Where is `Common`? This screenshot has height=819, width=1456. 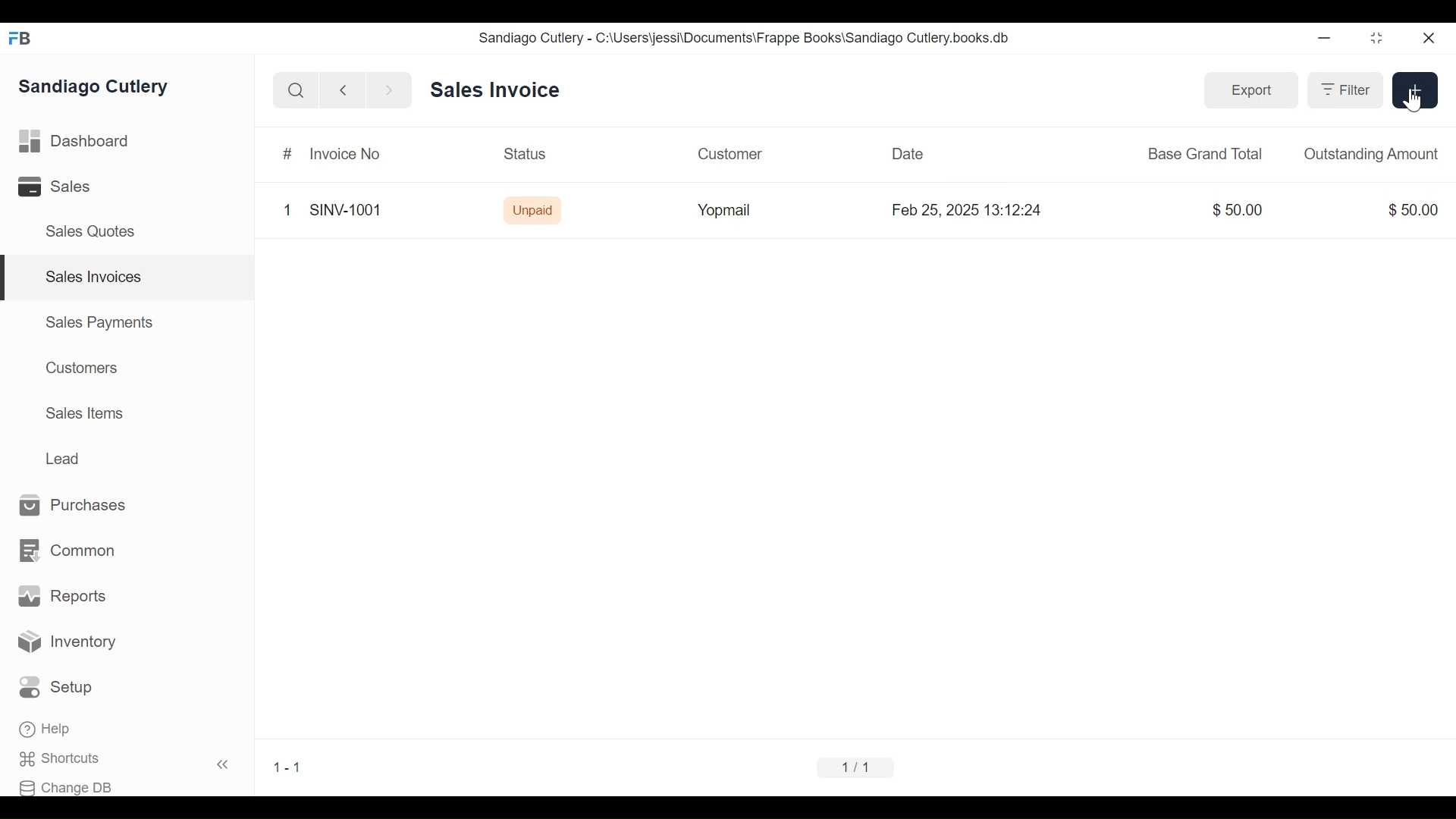 Common is located at coordinates (70, 551).